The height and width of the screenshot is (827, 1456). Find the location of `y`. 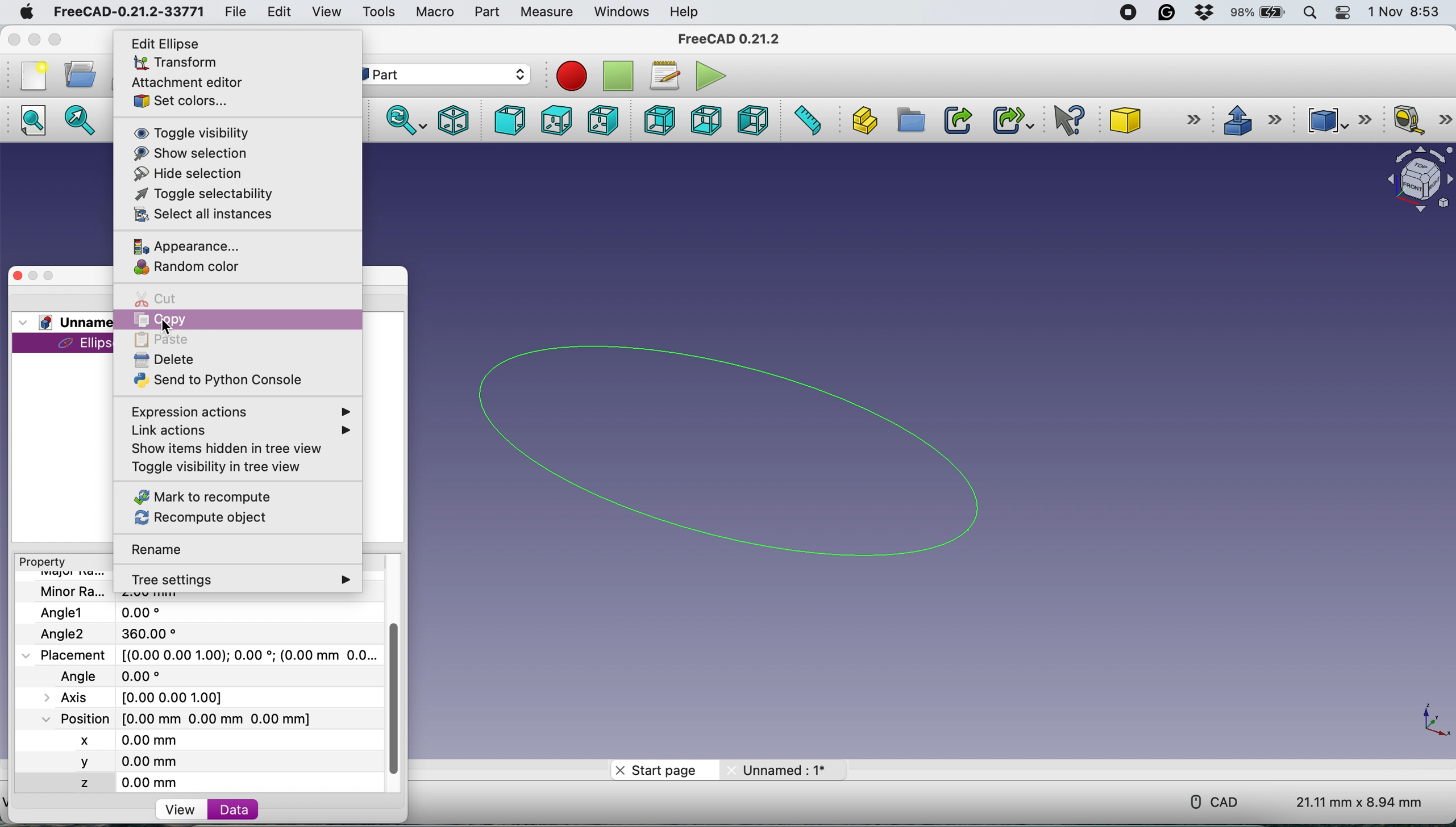

y is located at coordinates (110, 762).